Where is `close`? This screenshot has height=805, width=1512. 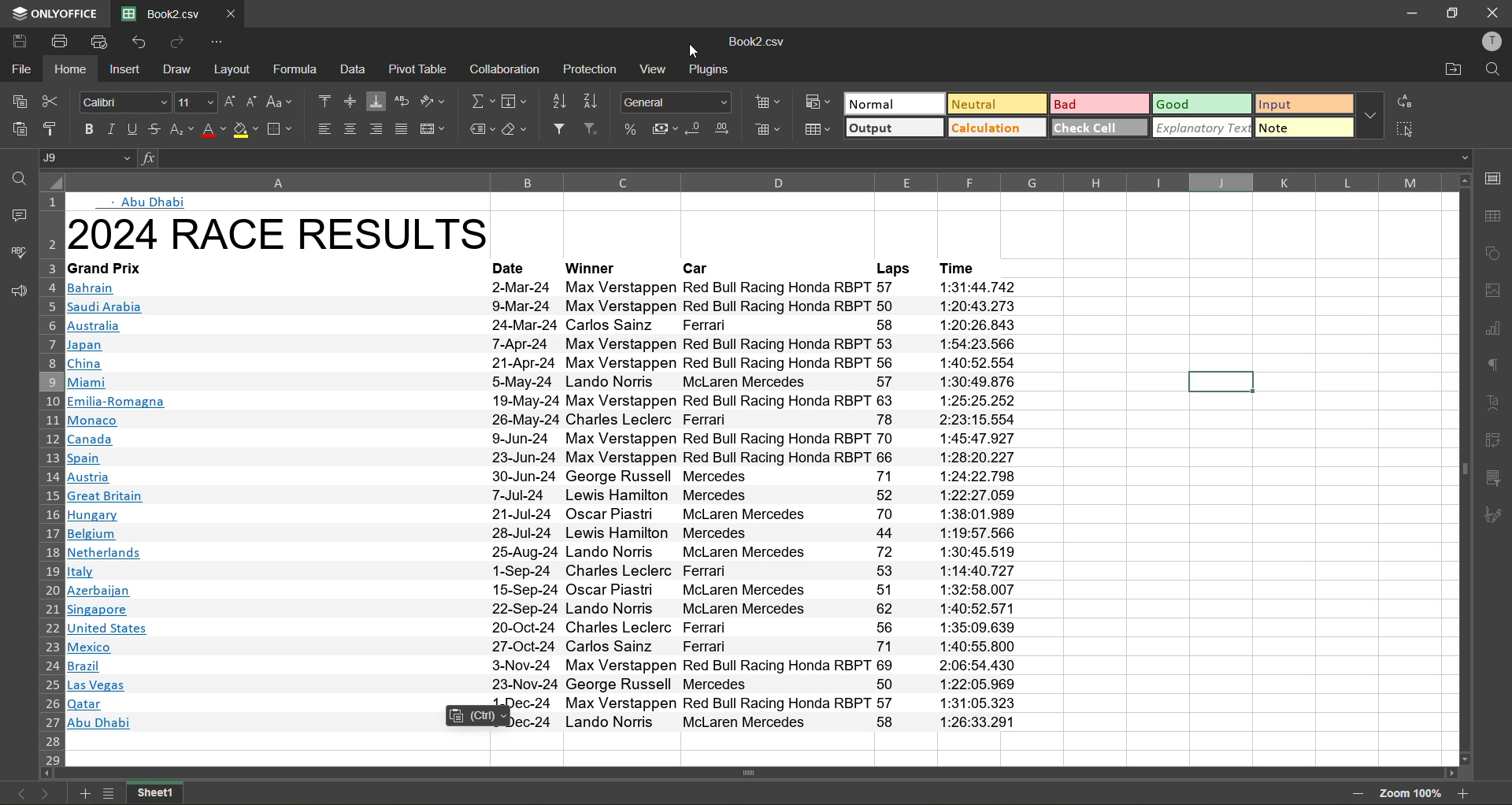
close is located at coordinates (1493, 12).